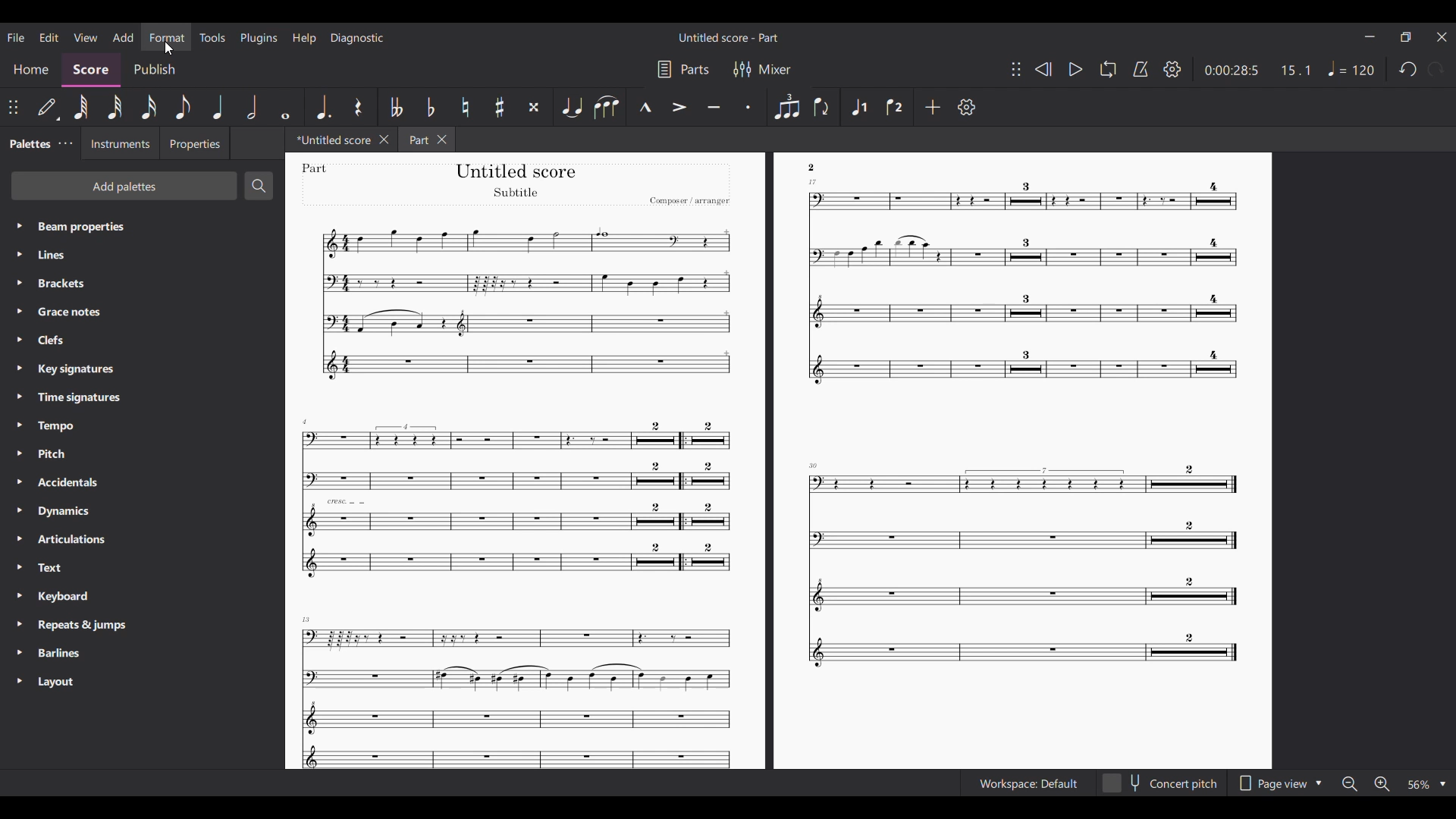  I want to click on , so click(1021, 570).